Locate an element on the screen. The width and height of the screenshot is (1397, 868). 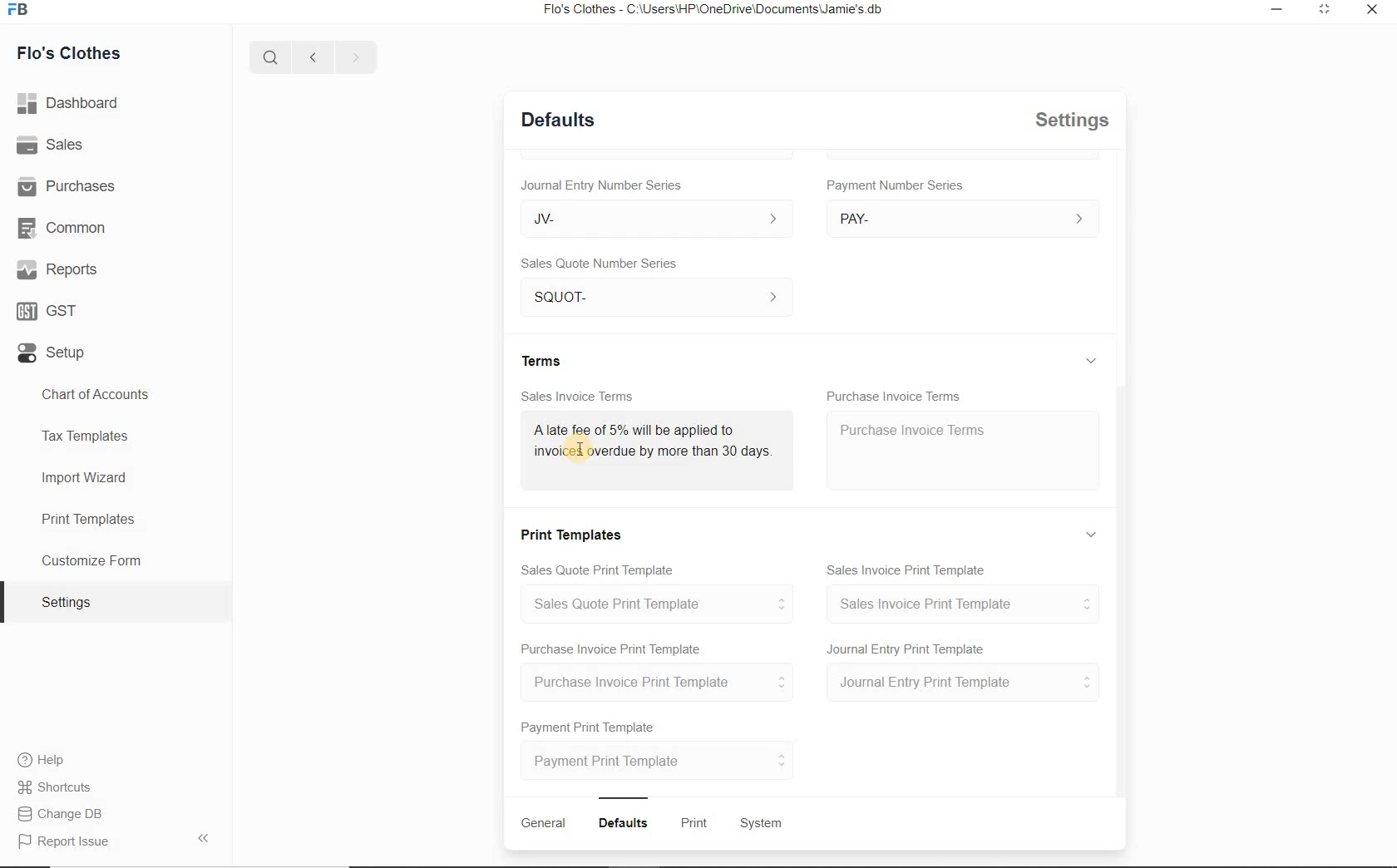
Purchases is located at coordinates (70, 186).